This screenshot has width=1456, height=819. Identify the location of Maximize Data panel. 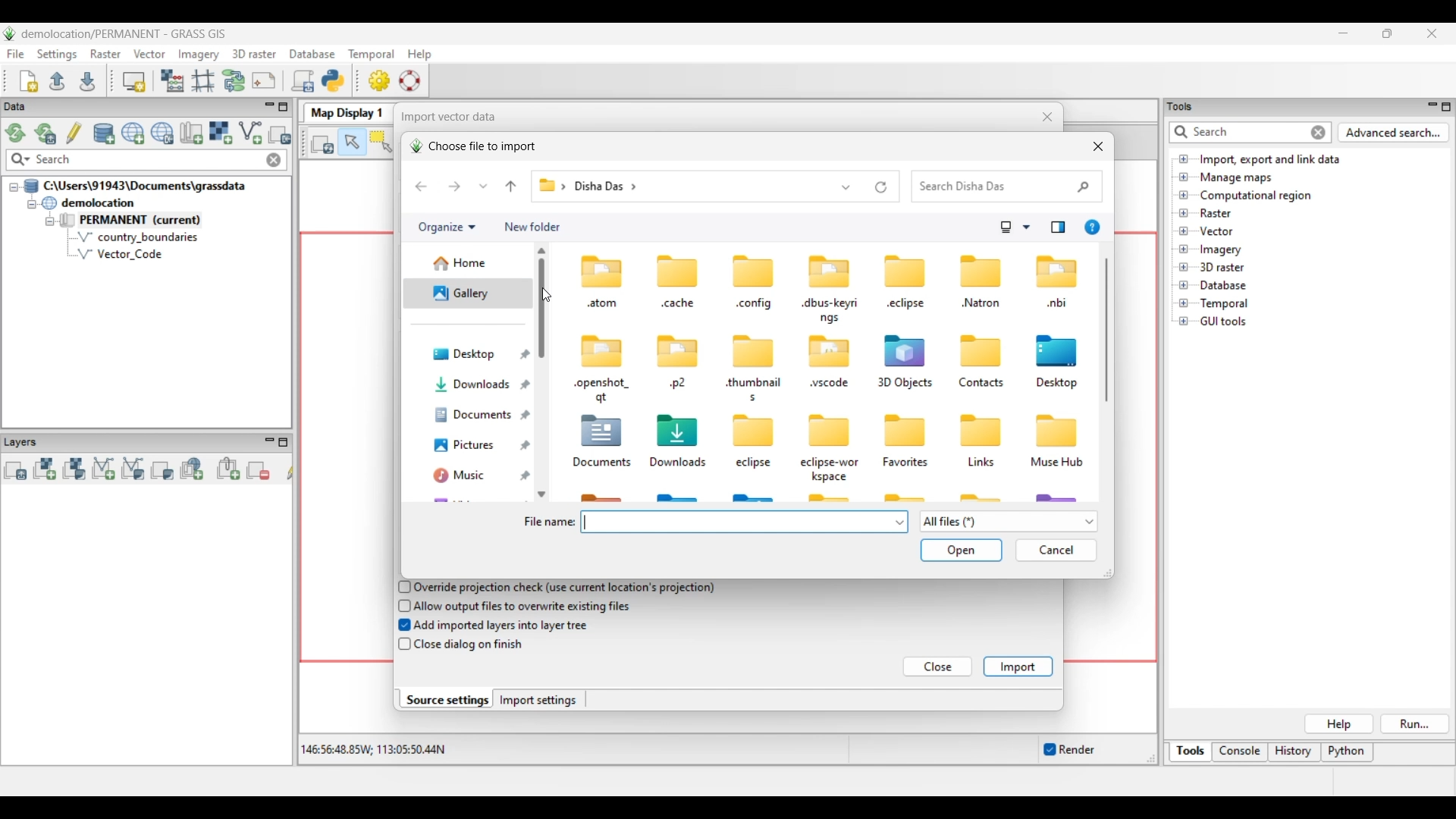
(284, 107).